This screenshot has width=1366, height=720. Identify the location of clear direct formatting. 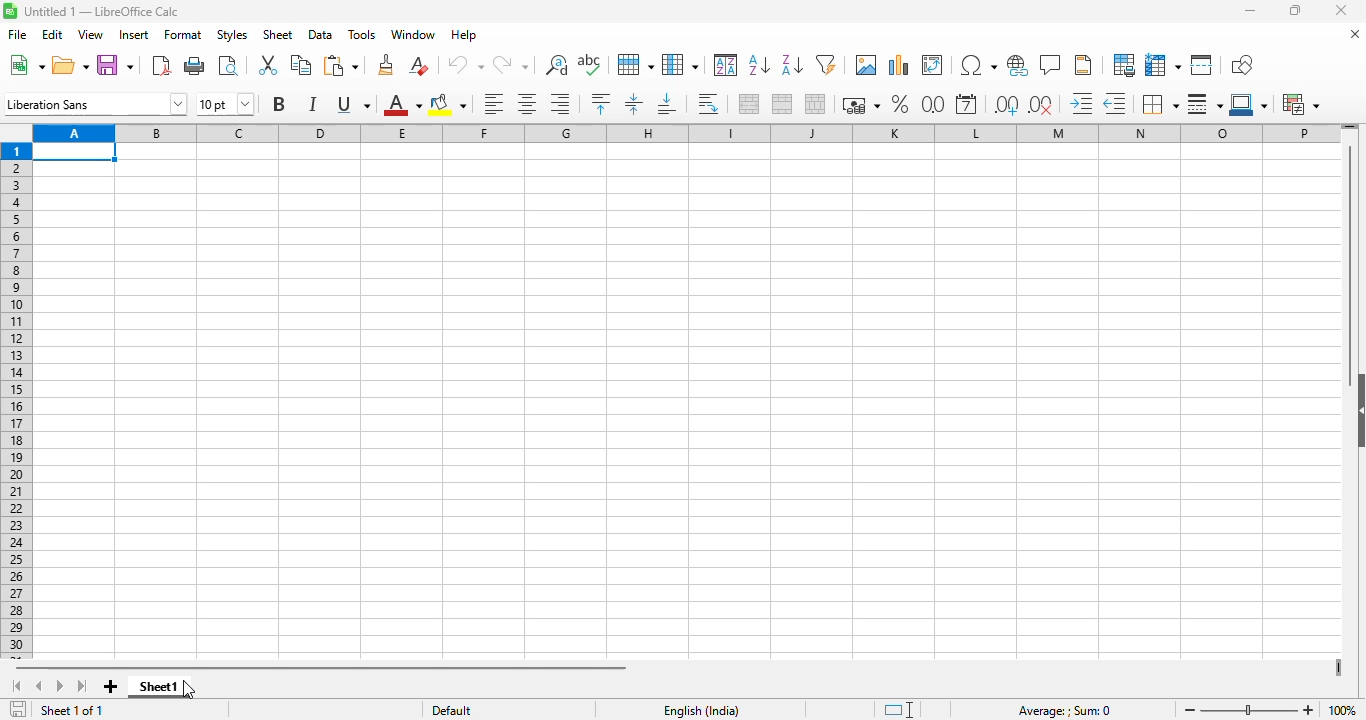
(418, 66).